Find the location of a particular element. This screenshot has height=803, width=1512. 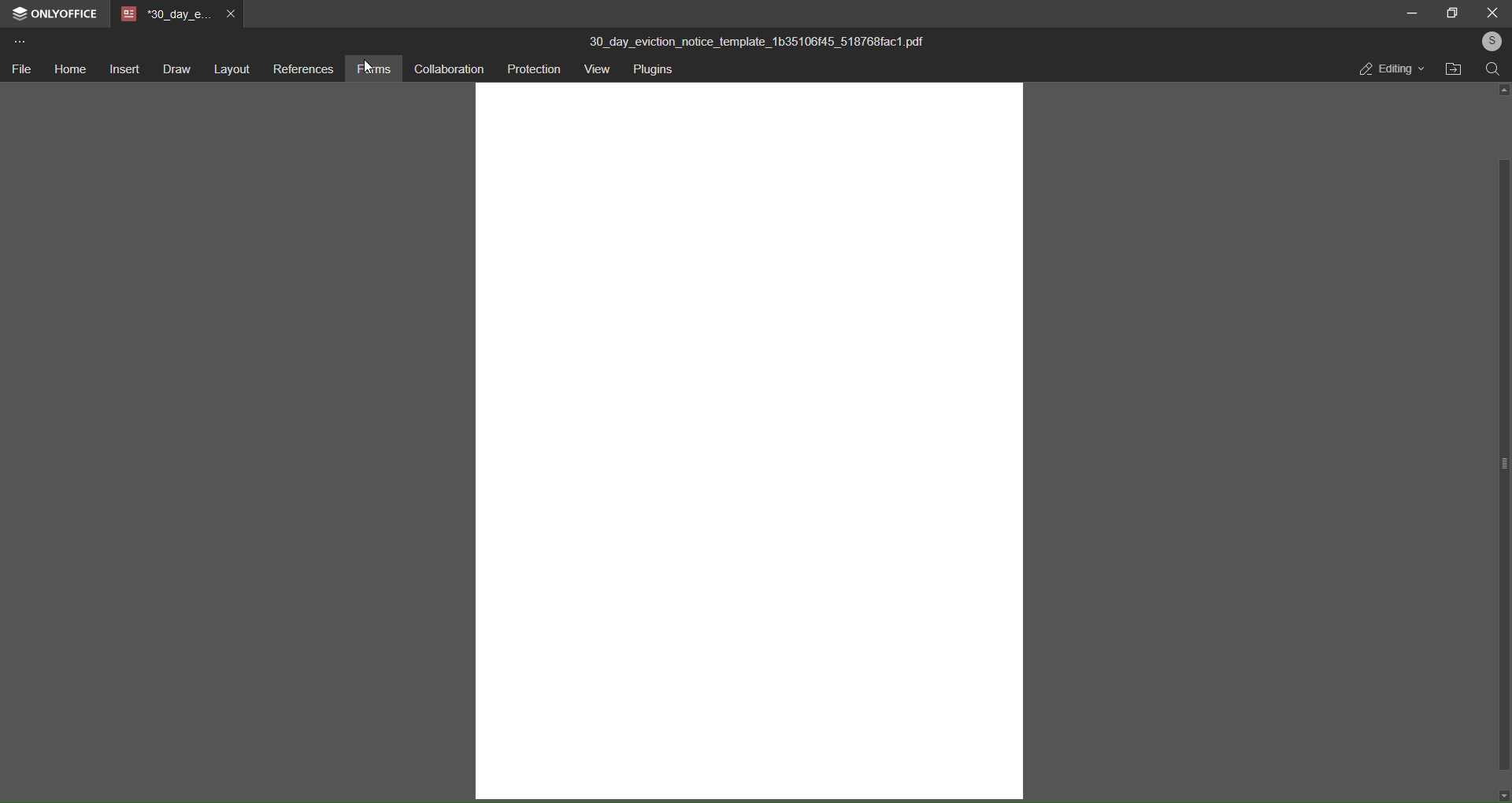

view is located at coordinates (597, 69).